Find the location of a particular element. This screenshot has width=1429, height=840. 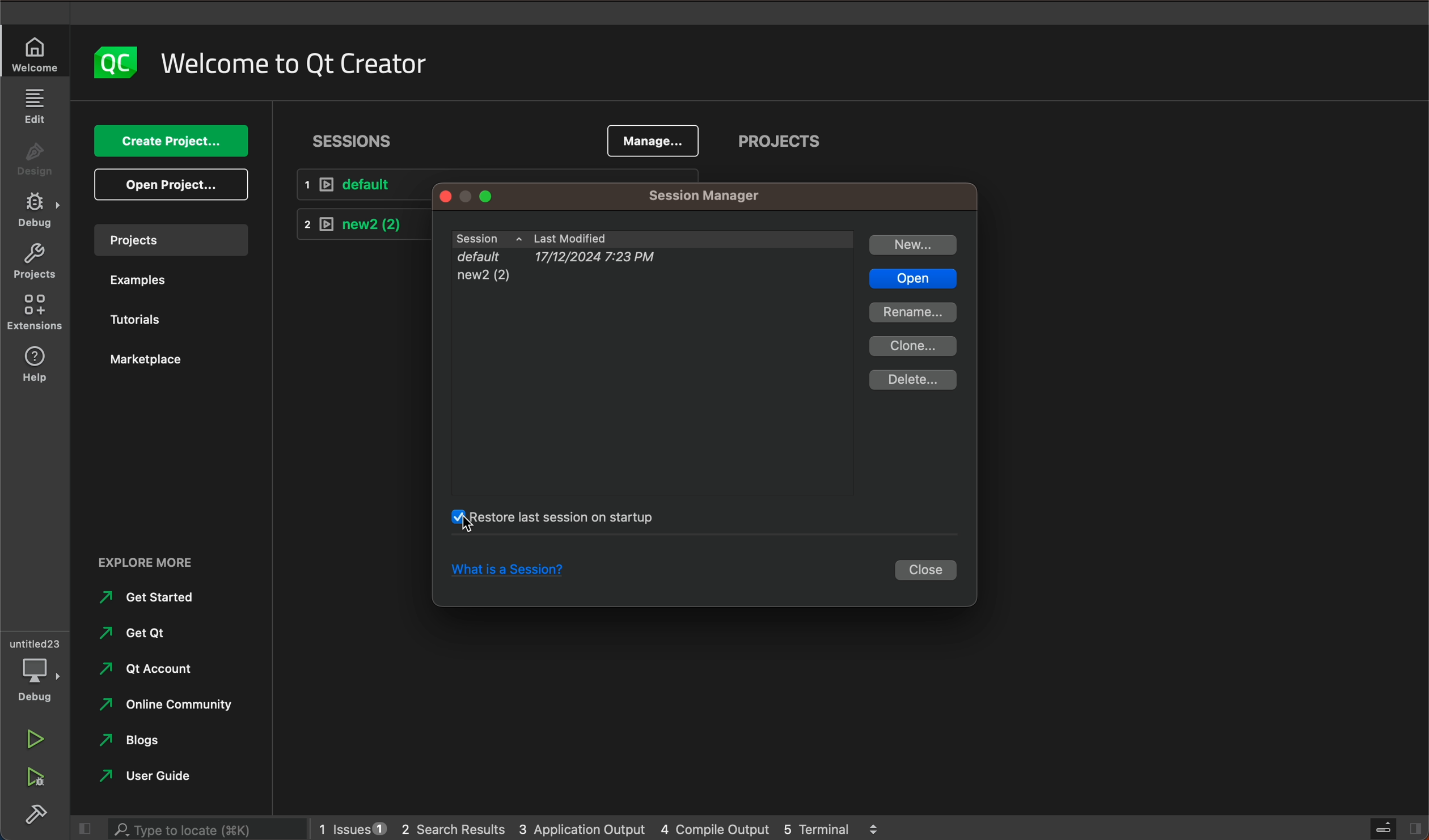

welcome is located at coordinates (296, 62).